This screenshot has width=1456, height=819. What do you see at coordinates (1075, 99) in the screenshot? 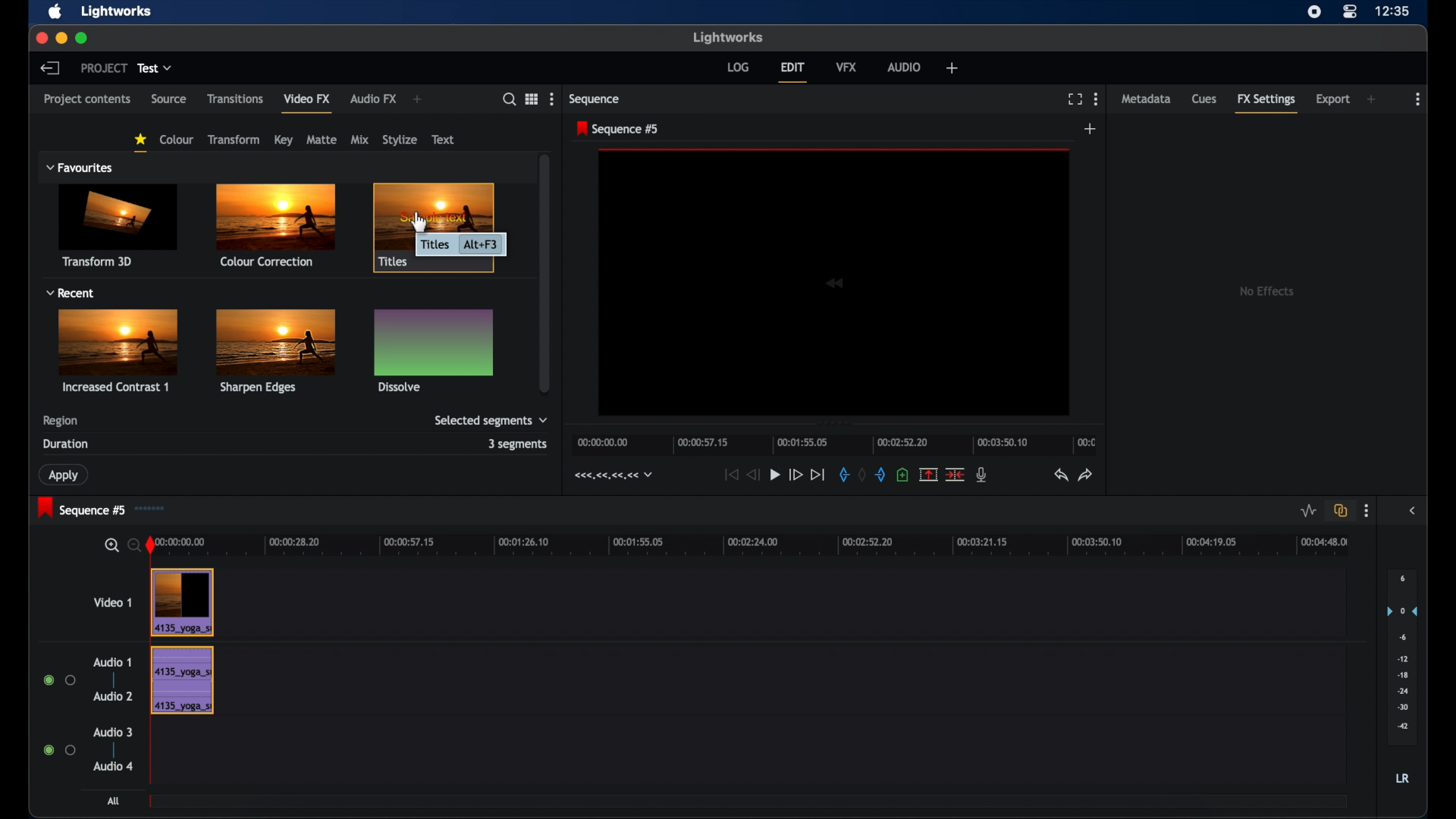
I see `full screen` at bounding box center [1075, 99].